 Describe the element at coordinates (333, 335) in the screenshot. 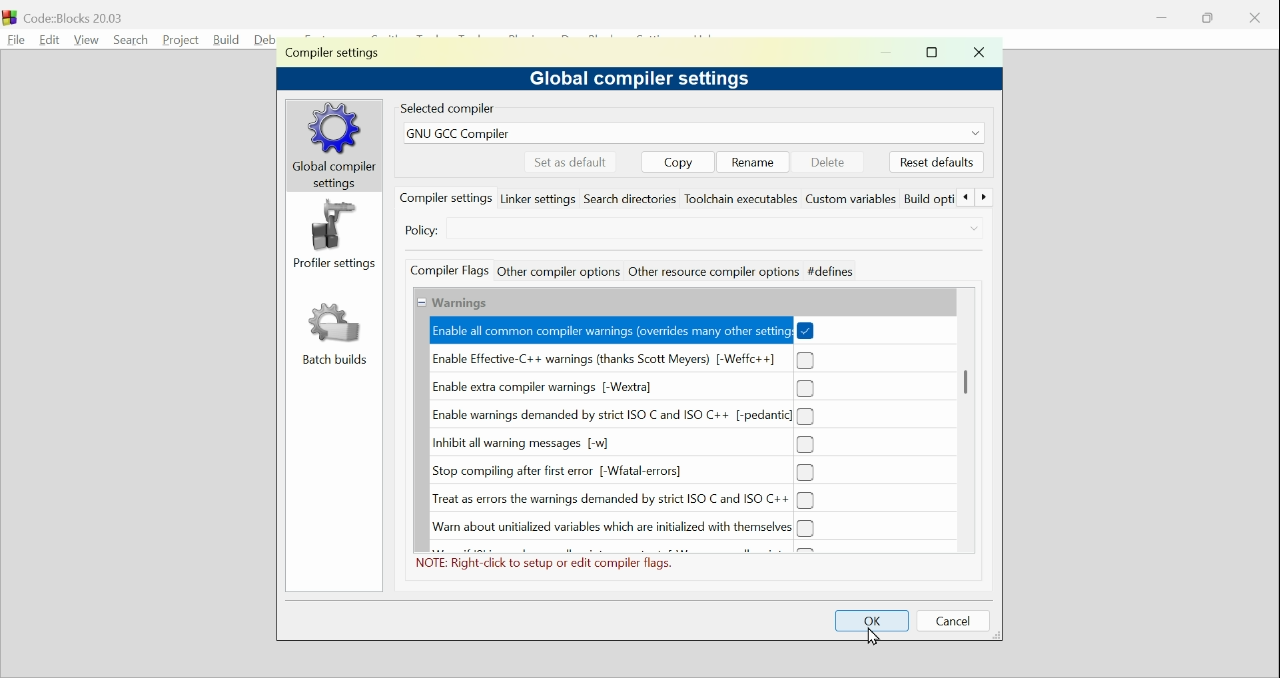

I see `Batch build` at that location.